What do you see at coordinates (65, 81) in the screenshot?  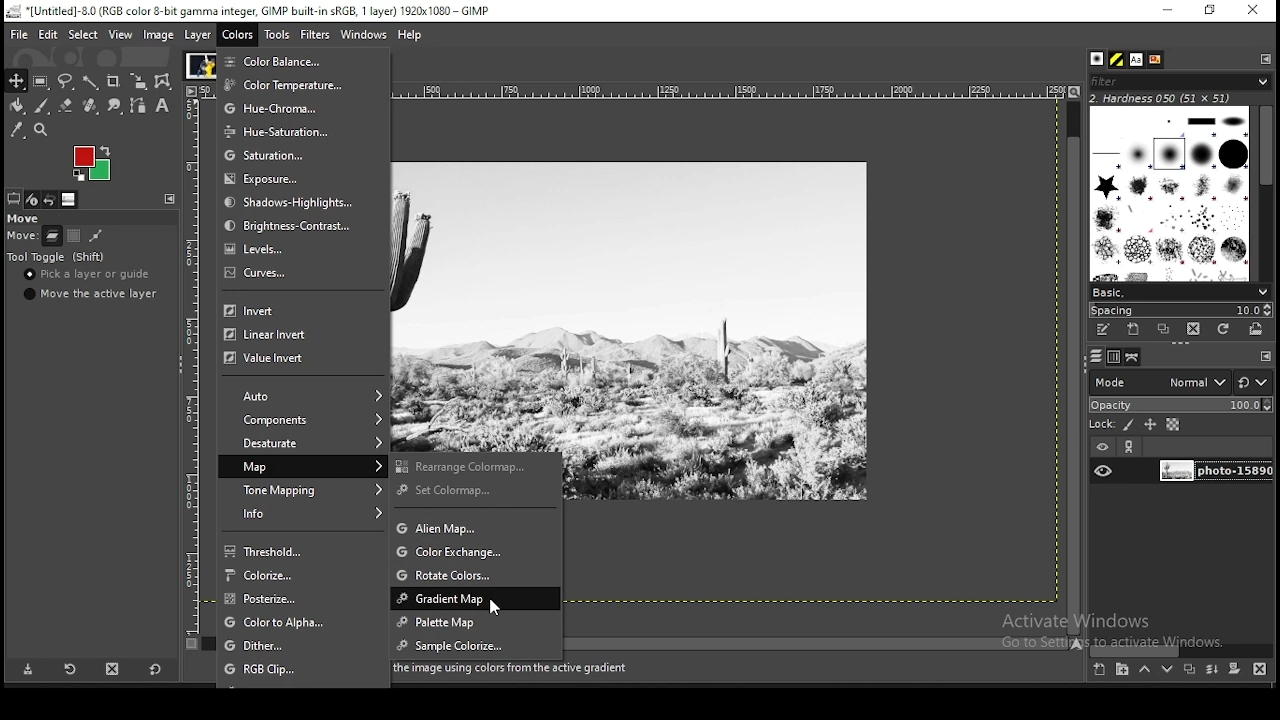 I see `free selection tool` at bounding box center [65, 81].